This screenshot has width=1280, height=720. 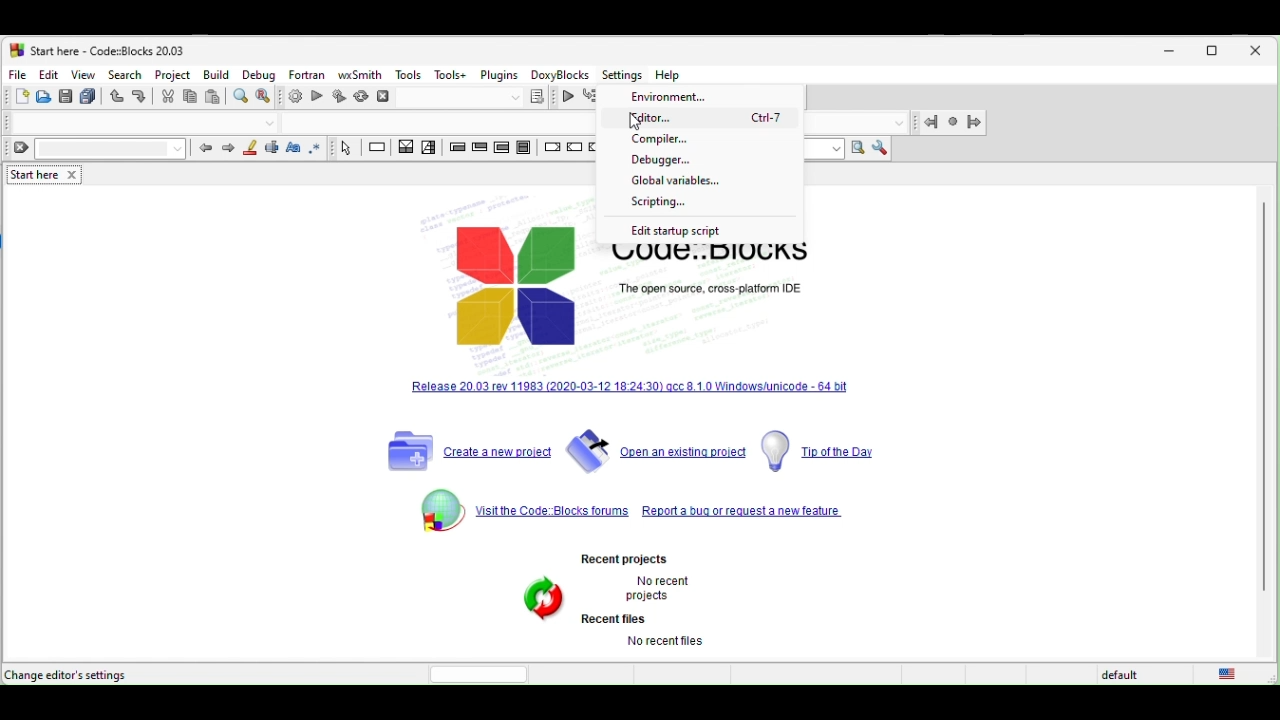 What do you see at coordinates (118, 97) in the screenshot?
I see `undo` at bounding box center [118, 97].